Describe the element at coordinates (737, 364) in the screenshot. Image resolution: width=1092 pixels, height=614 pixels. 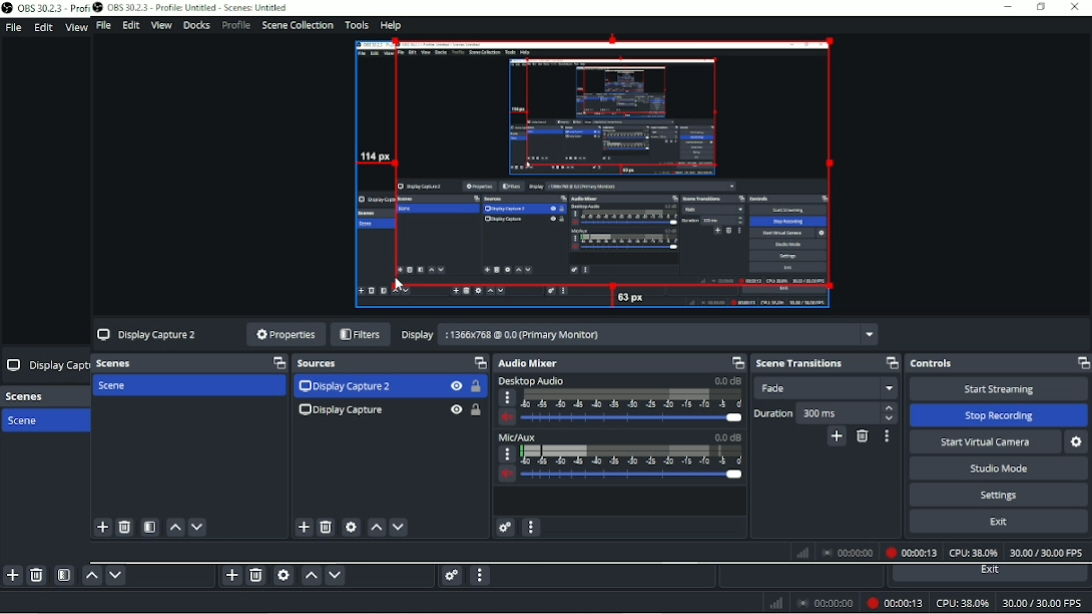
I see `maximize` at that location.